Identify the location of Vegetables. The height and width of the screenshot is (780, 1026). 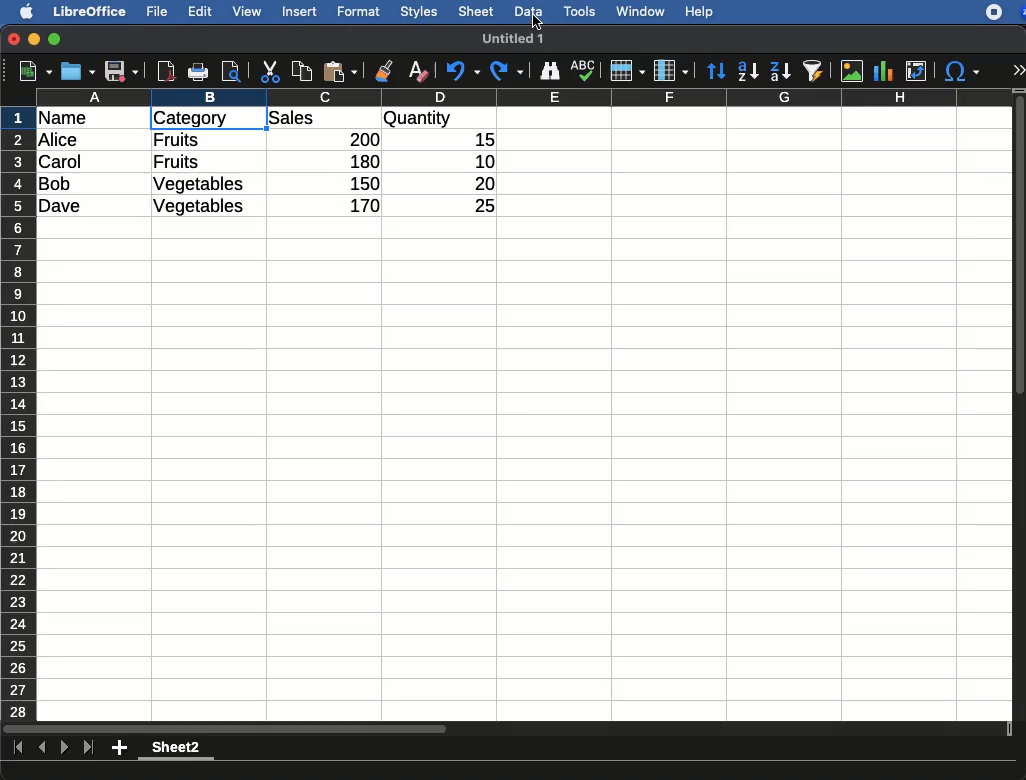
(200, 185).